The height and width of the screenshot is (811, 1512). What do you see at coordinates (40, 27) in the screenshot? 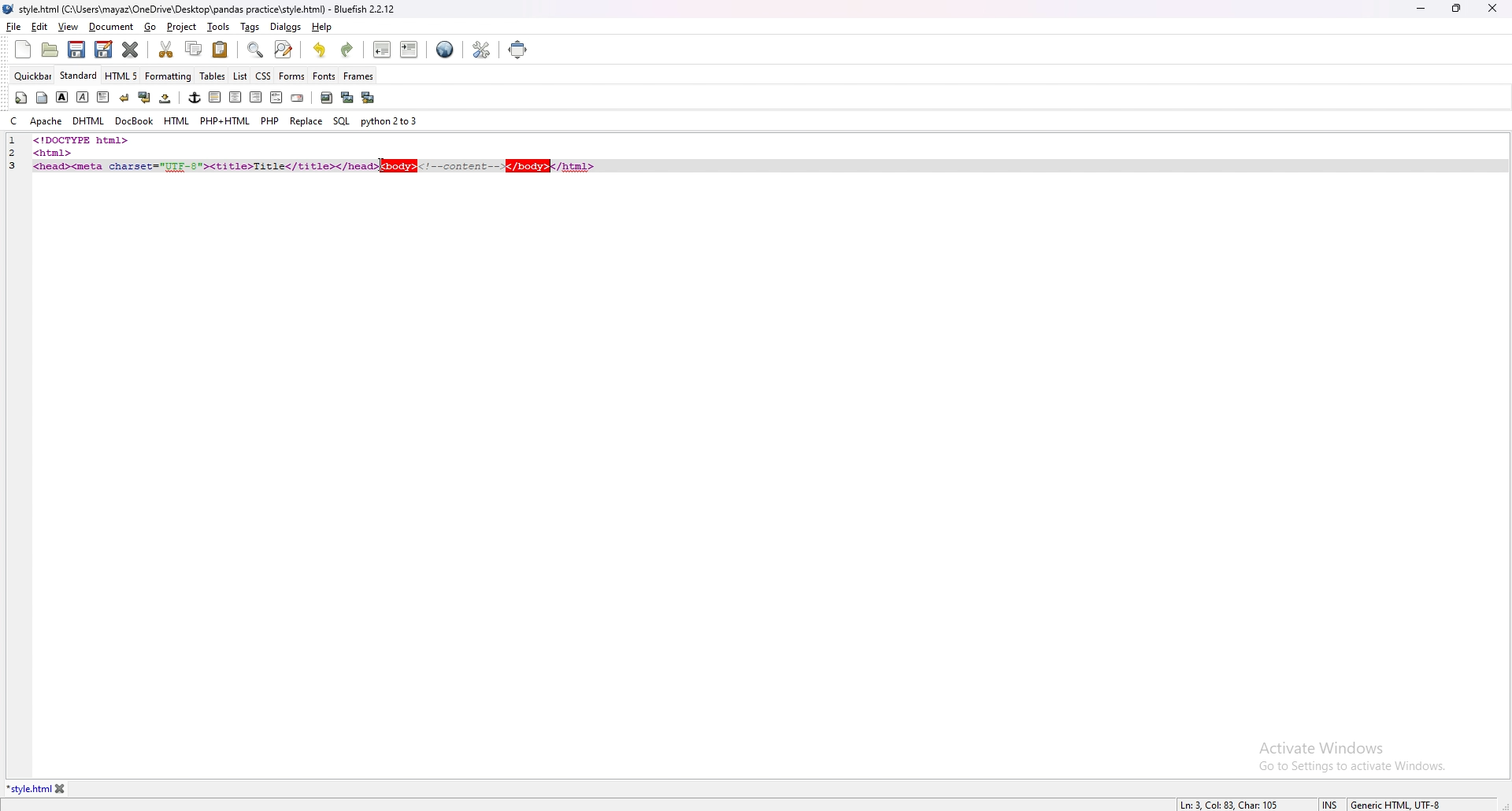
I see `edit` at bounding box center [40, 27].